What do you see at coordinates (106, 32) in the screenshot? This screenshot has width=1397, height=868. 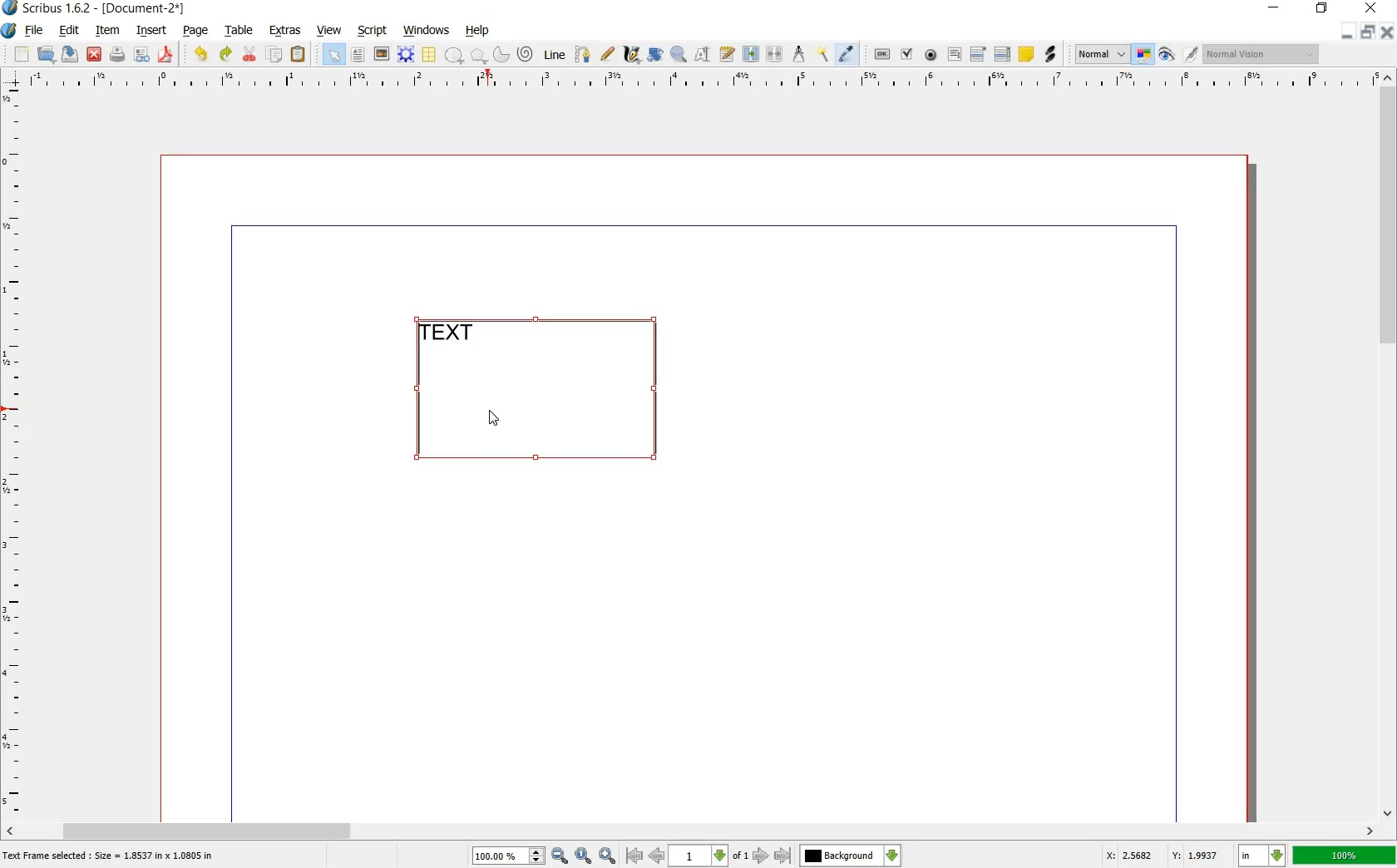 I see `item` at bounding box center [106, 32].